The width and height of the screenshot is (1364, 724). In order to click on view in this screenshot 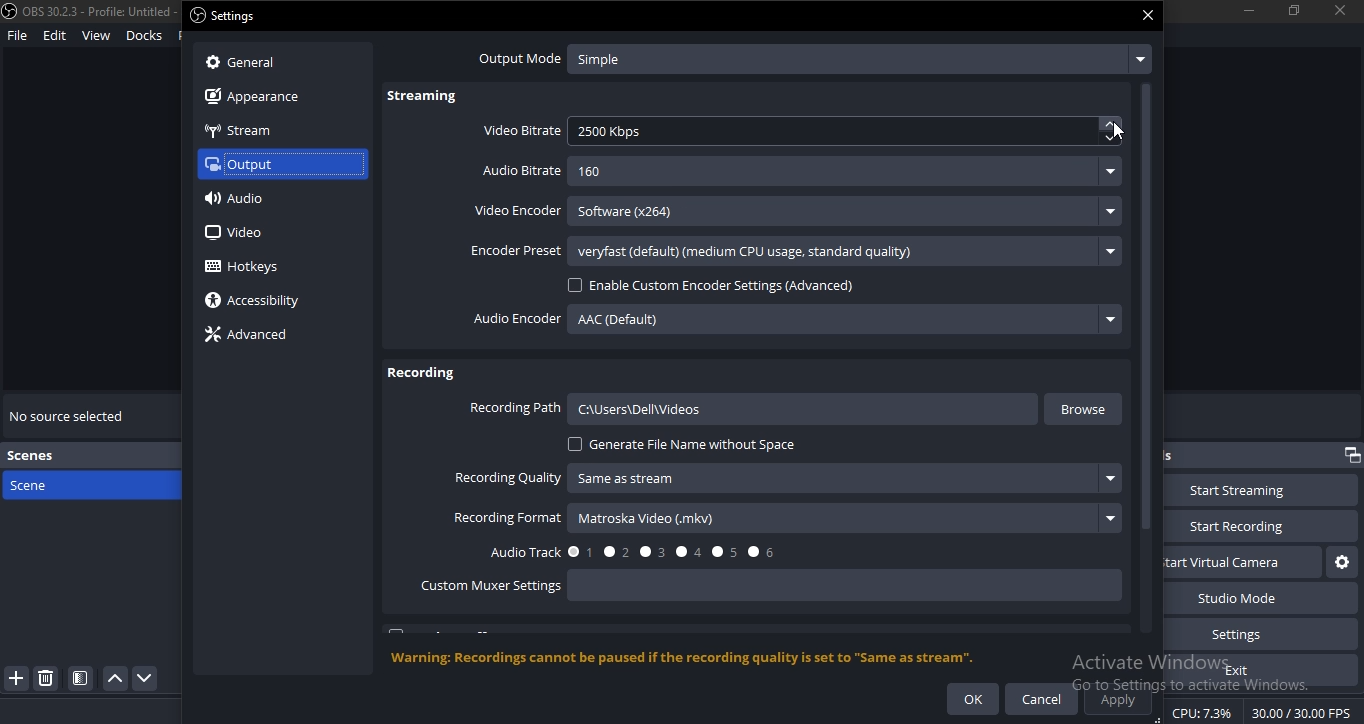, I will do `click(95, 36)`.